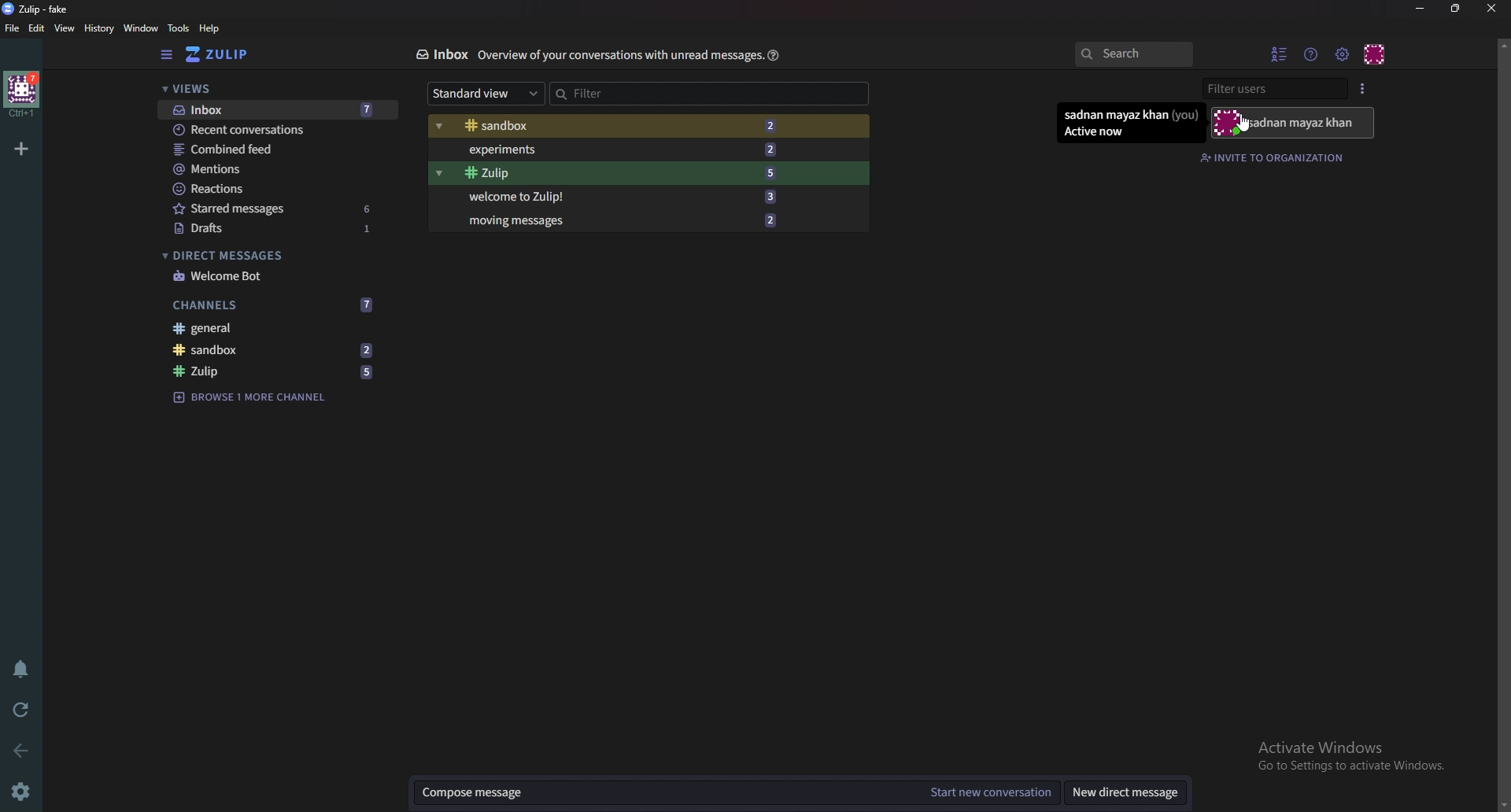  Describe the element at coordinates (22, 149) in the screenshot. I see `Add organization` at that location.